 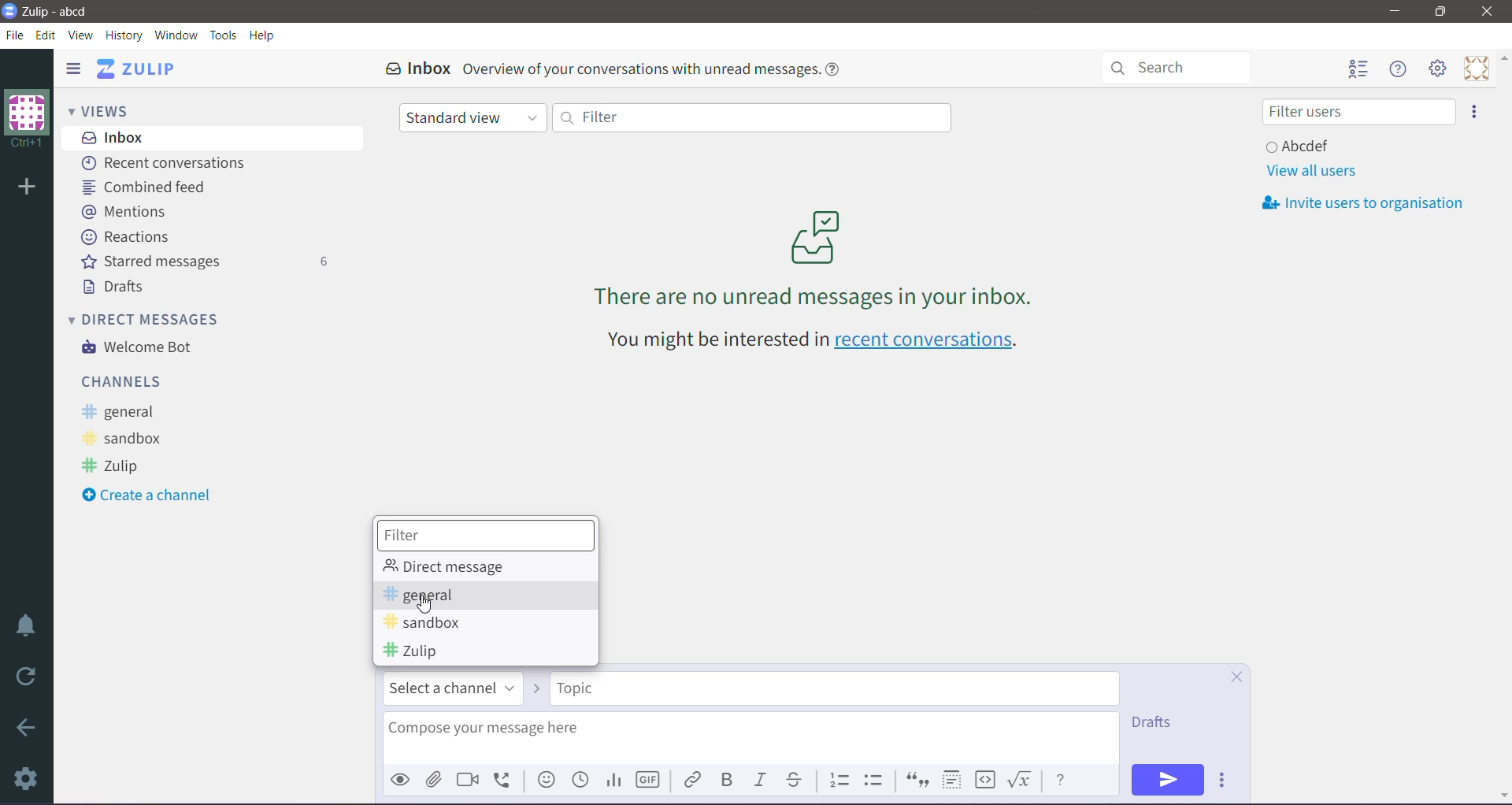 What do you see at coordinates (465, 569) in the screenshot?
I see `Direct message` at bounding box center [465, 569].